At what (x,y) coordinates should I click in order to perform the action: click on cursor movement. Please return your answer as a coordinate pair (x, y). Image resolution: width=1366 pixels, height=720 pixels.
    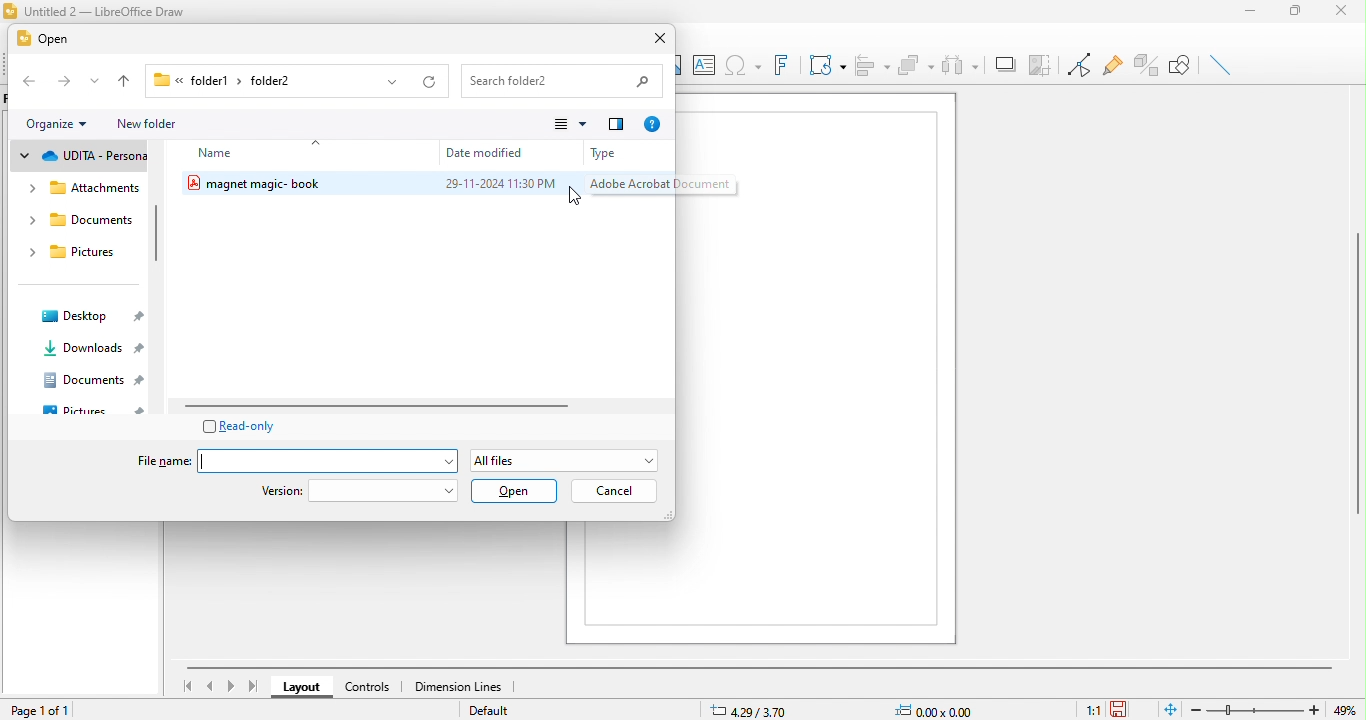
    Looking at the image, I should click on (585, 198).